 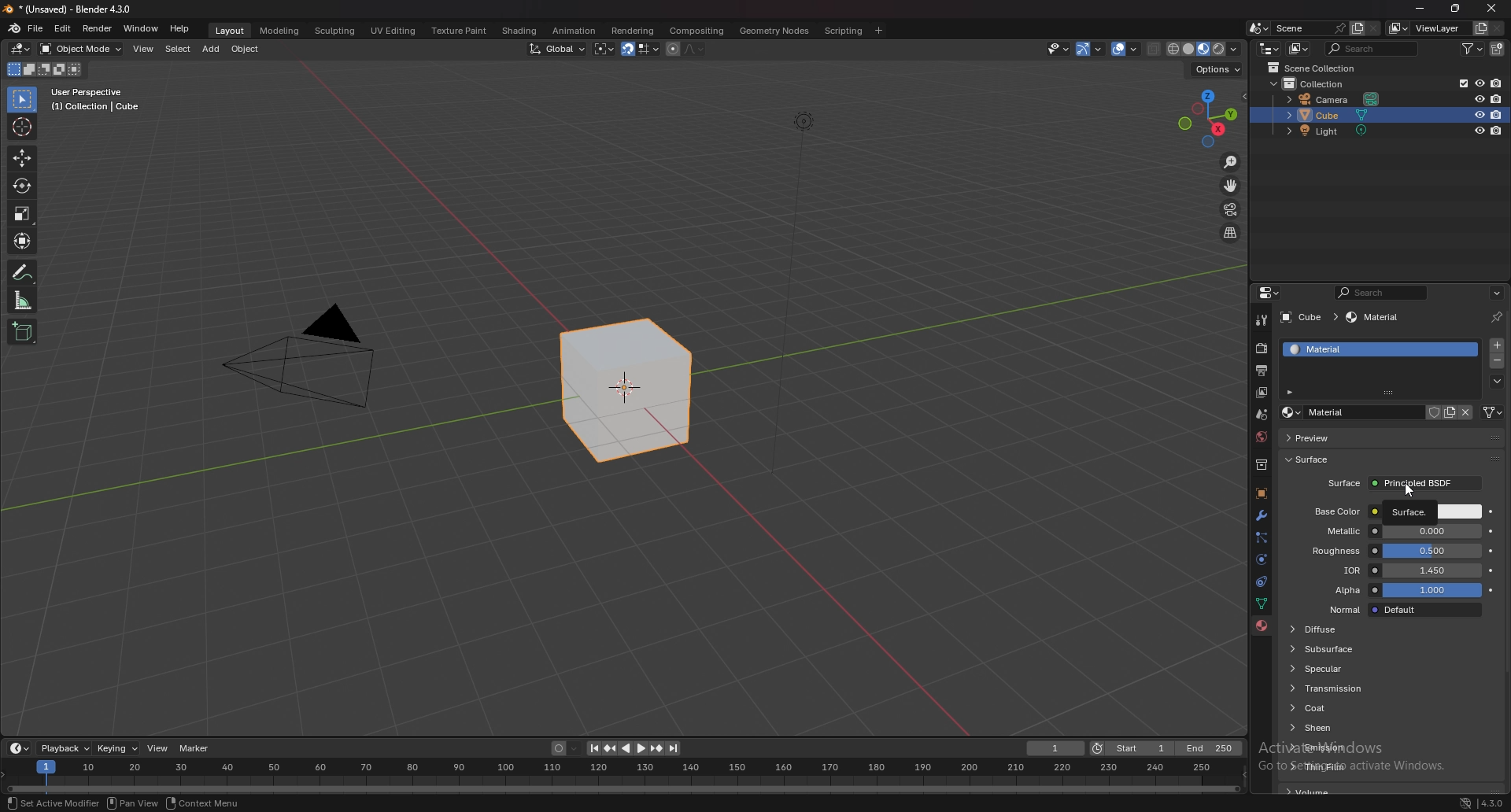 What do you see at coordinates (24, 241) in the screenshot?
I see `transform` at bounding box center [24, 241].